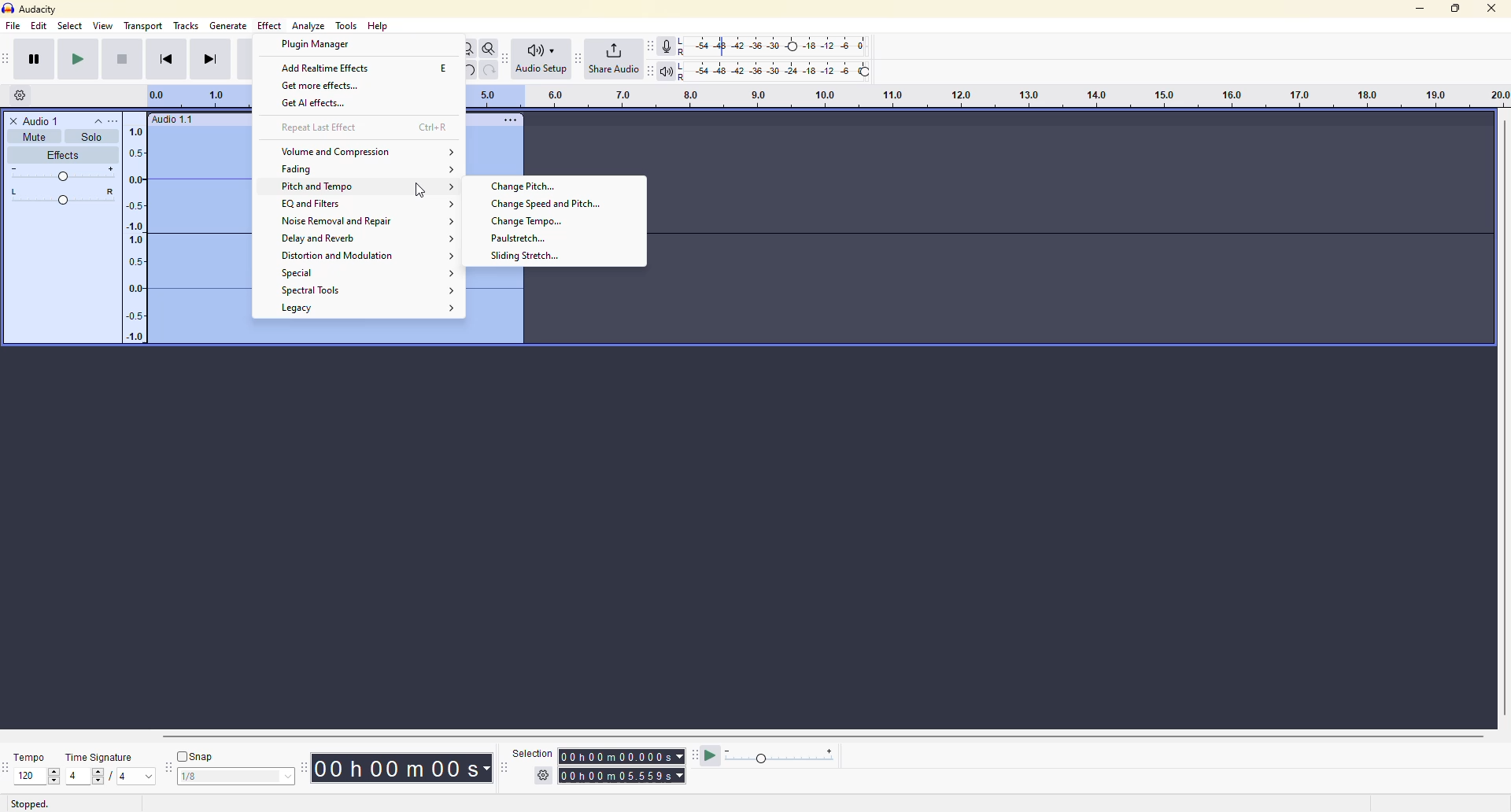  I want to click on repeat last effect, so click(321, 127).